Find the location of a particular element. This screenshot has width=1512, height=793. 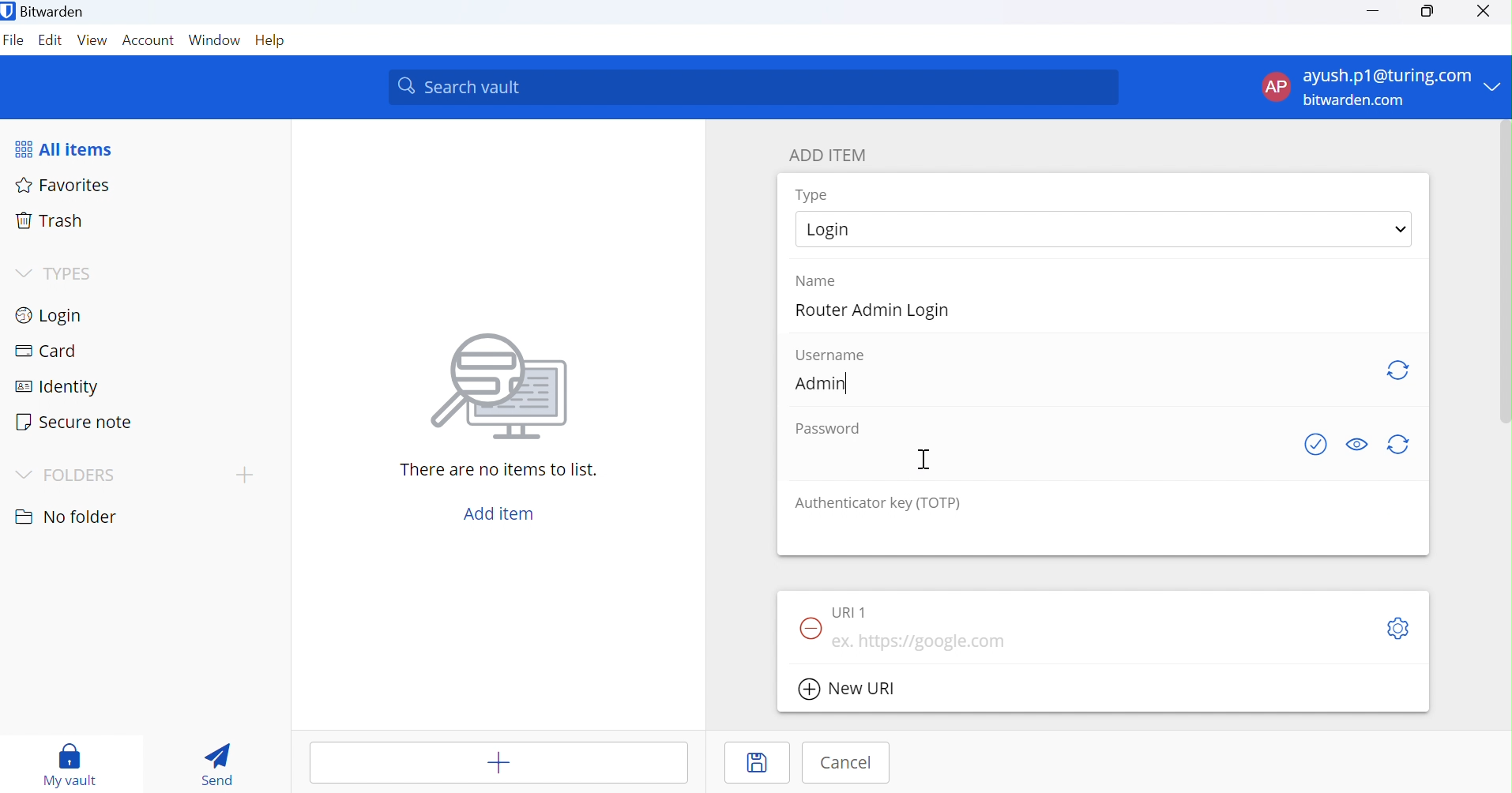

Username is located at coordinates (829, 355).